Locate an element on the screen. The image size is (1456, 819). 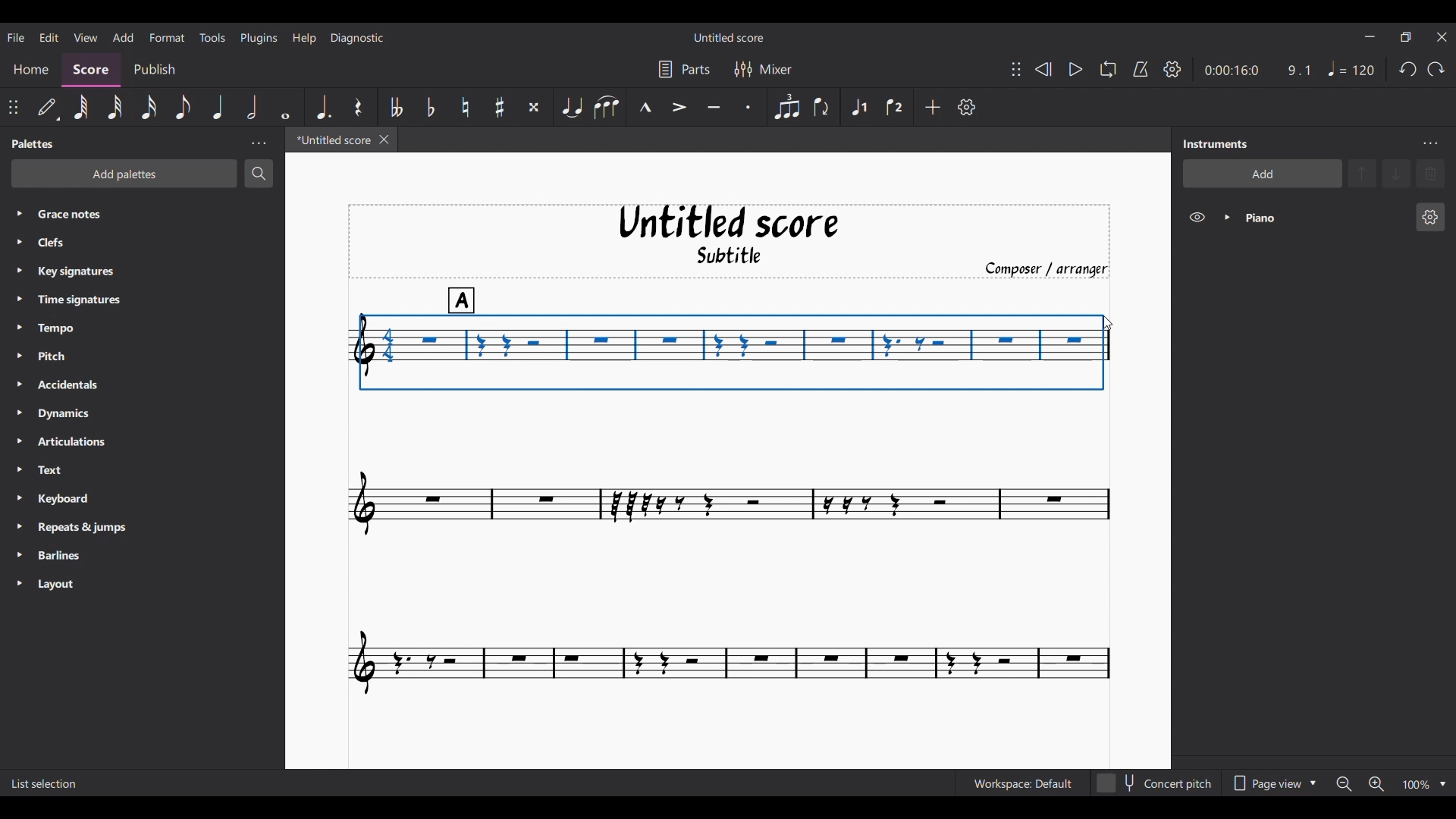
Tenuto is located at coordinates (714, 106).